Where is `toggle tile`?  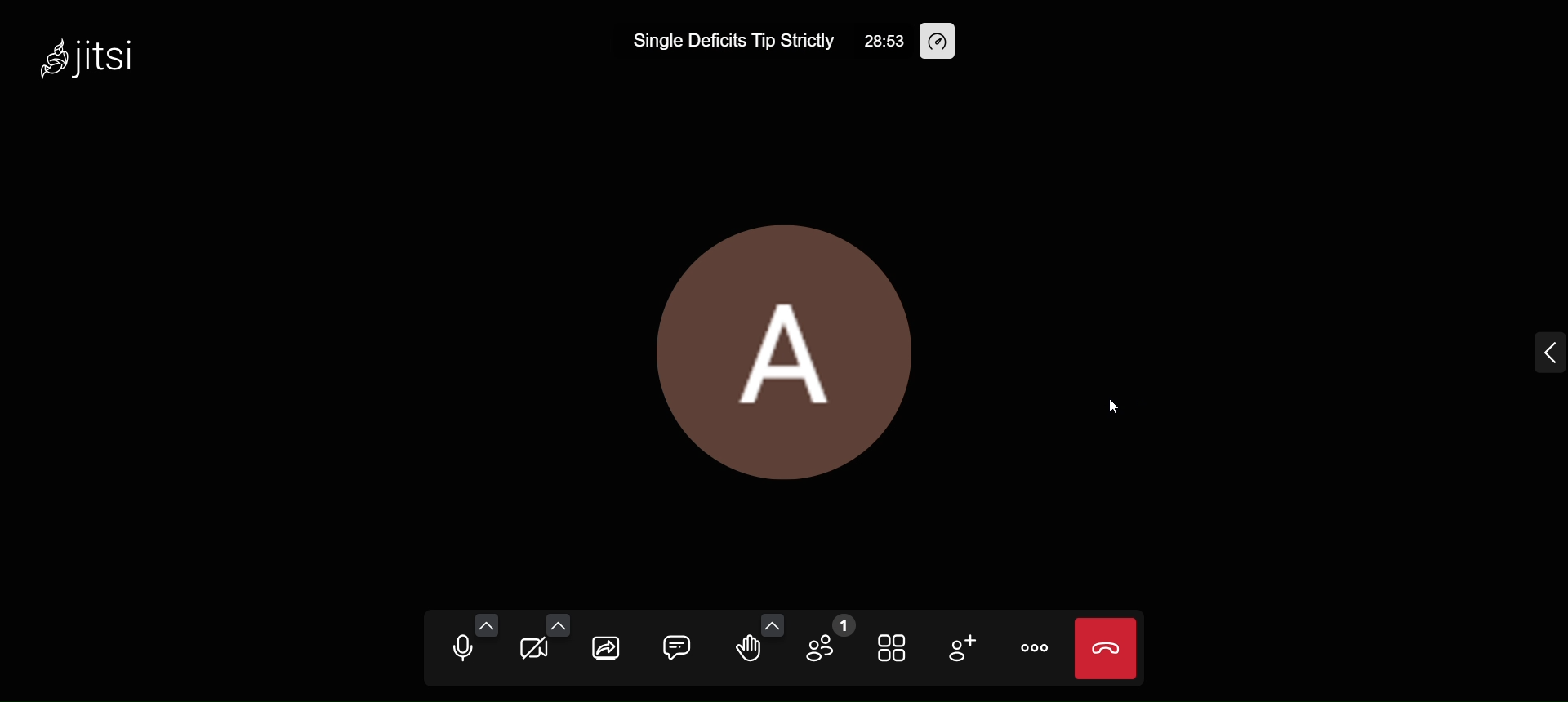
toggle tile is located at coordinates (893, 648).